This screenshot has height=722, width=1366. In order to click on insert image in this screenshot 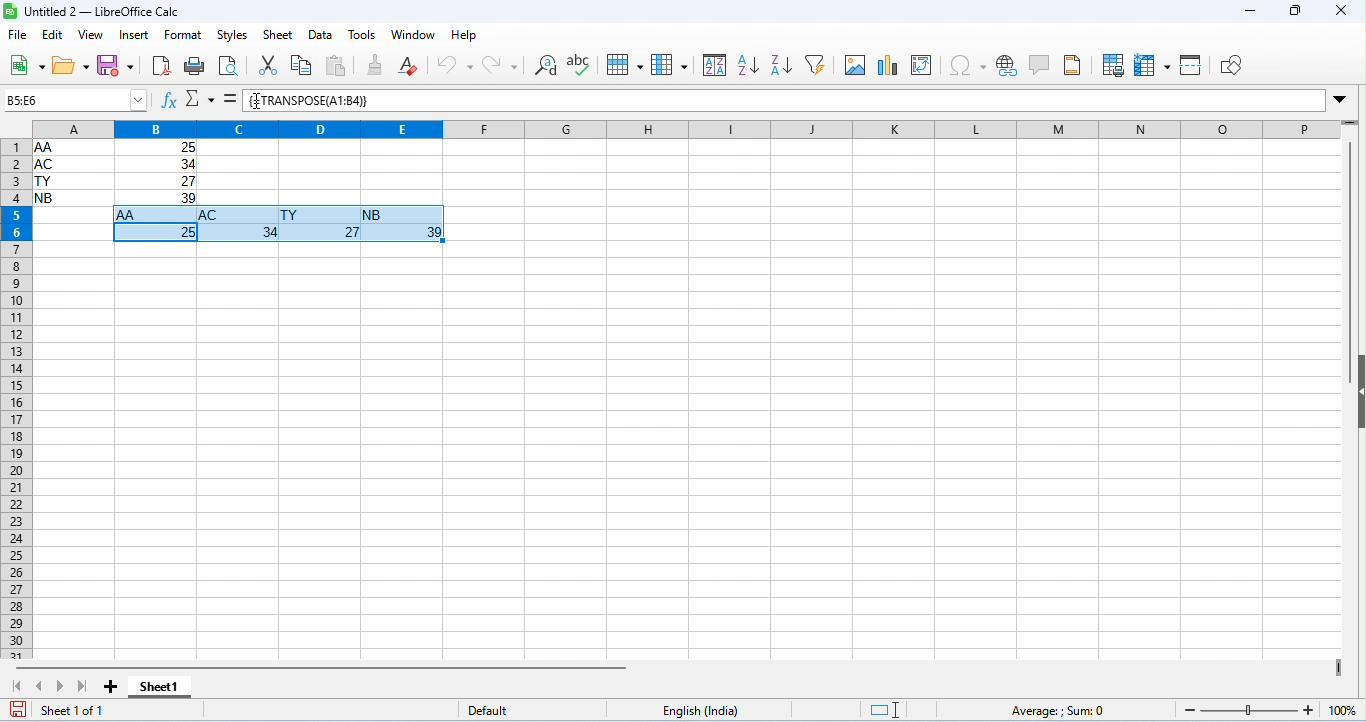, I will do `click(855, 65)`.